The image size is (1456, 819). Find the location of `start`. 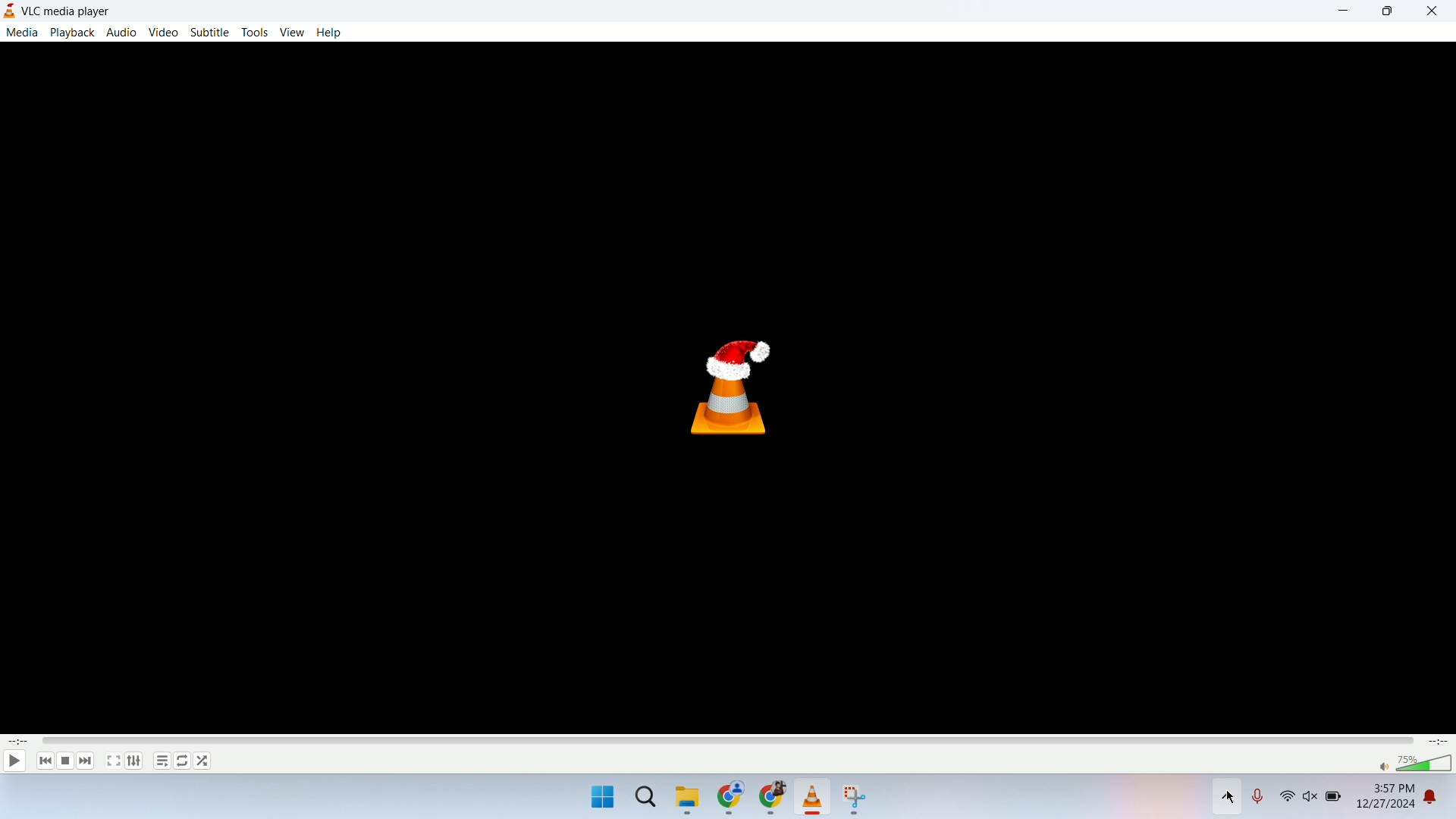

start is located at coordinates (601, 799).